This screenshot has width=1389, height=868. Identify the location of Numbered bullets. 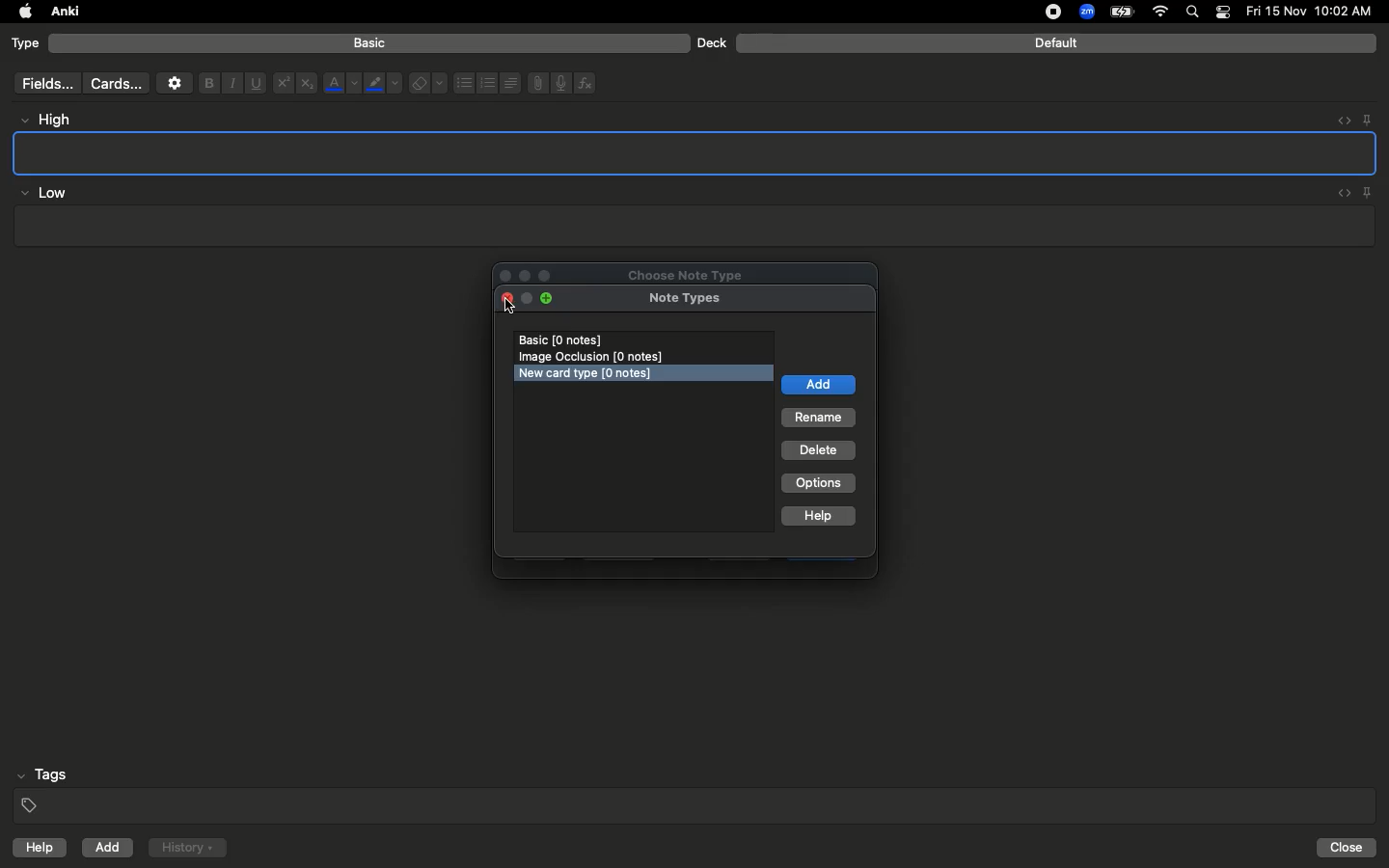
(488, 83).